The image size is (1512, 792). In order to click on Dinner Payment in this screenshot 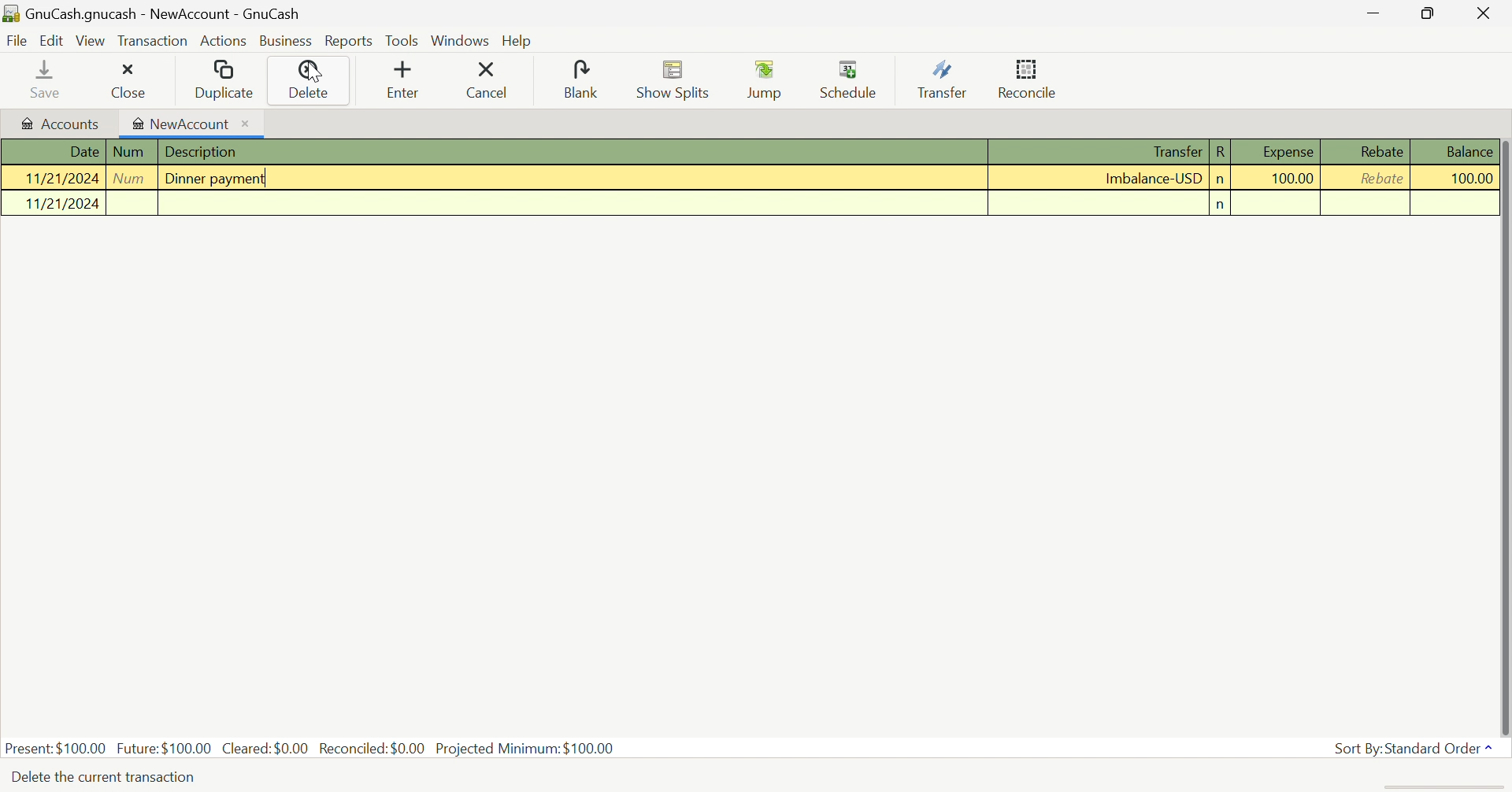, I will do `click(214, 180)`.